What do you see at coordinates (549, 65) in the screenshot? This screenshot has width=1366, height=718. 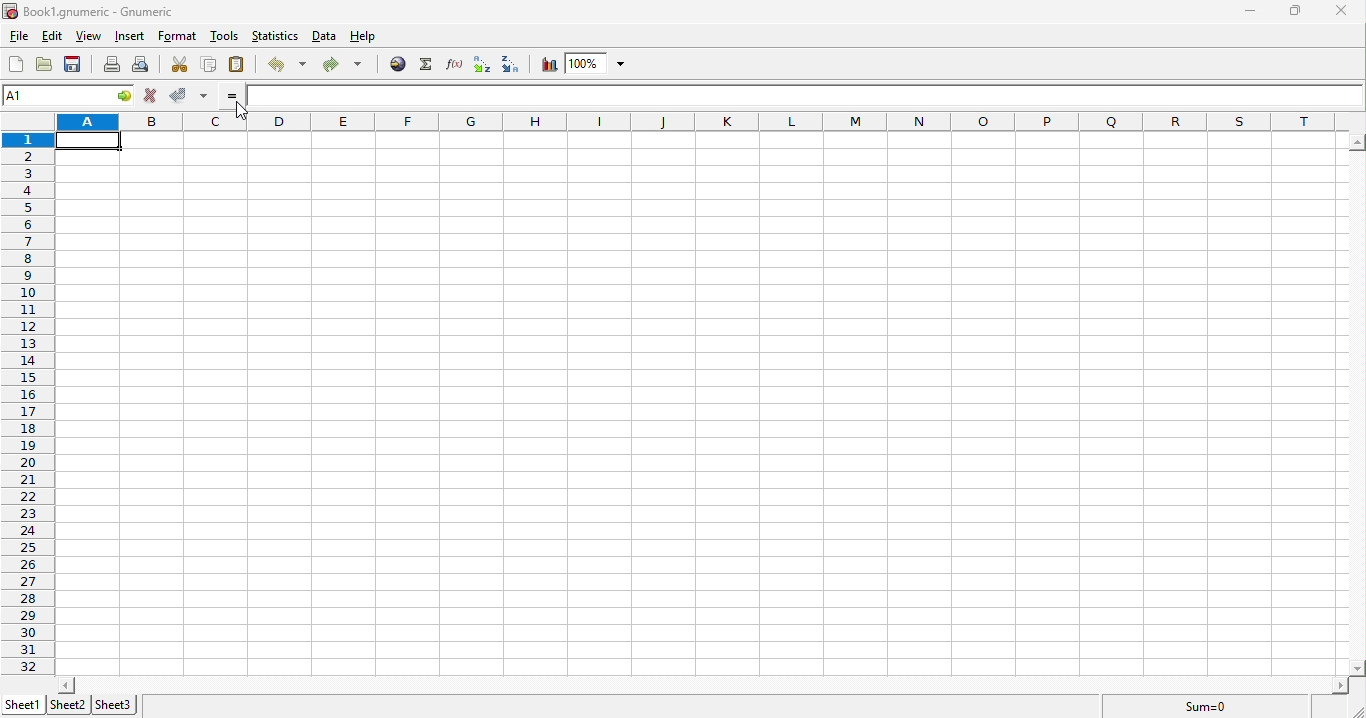 I see `chart` at bounding box center [549, 65].